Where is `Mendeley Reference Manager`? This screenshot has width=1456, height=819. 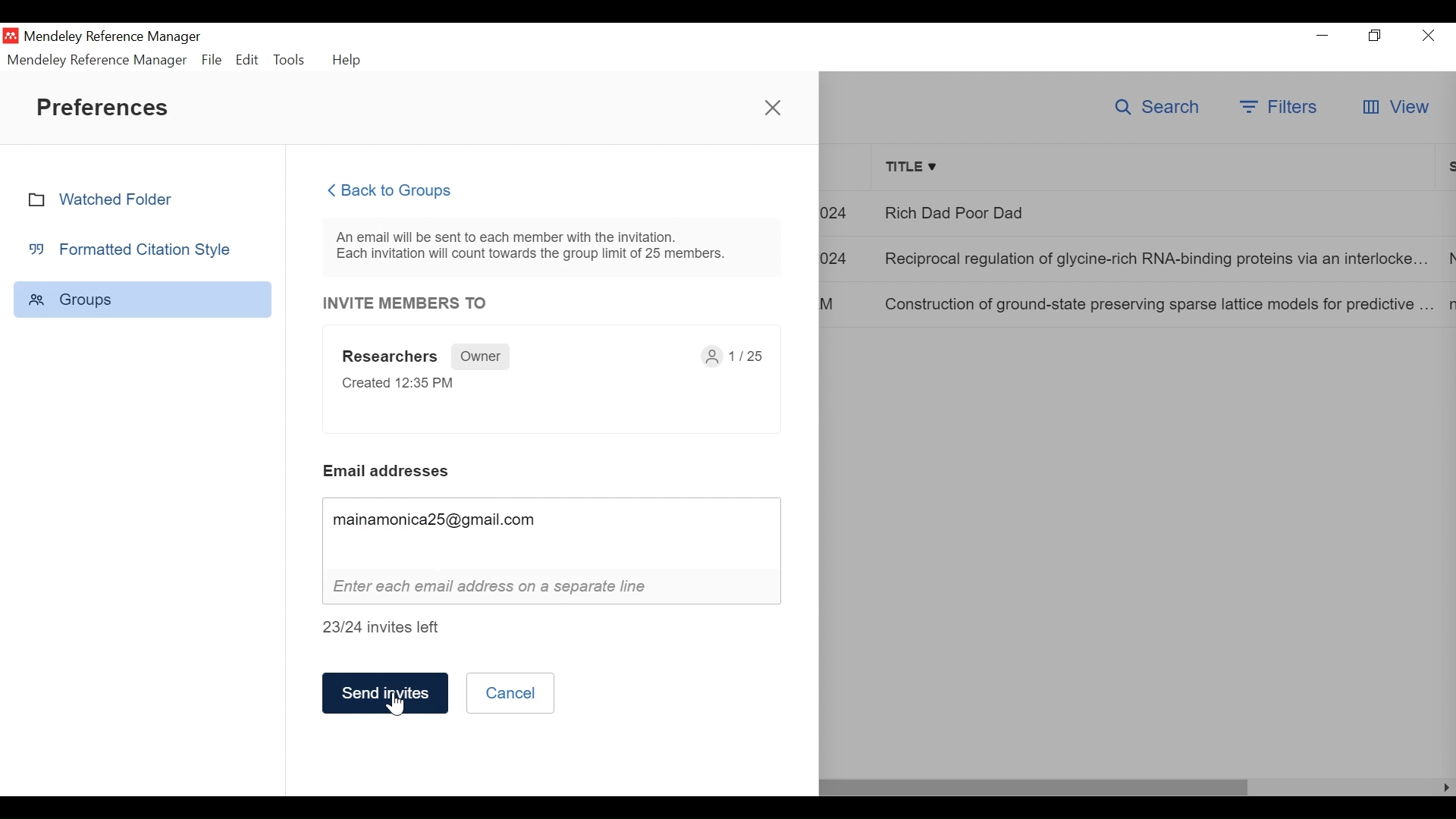 Mendeley Reference Manager is located at coordinates (98, 60).